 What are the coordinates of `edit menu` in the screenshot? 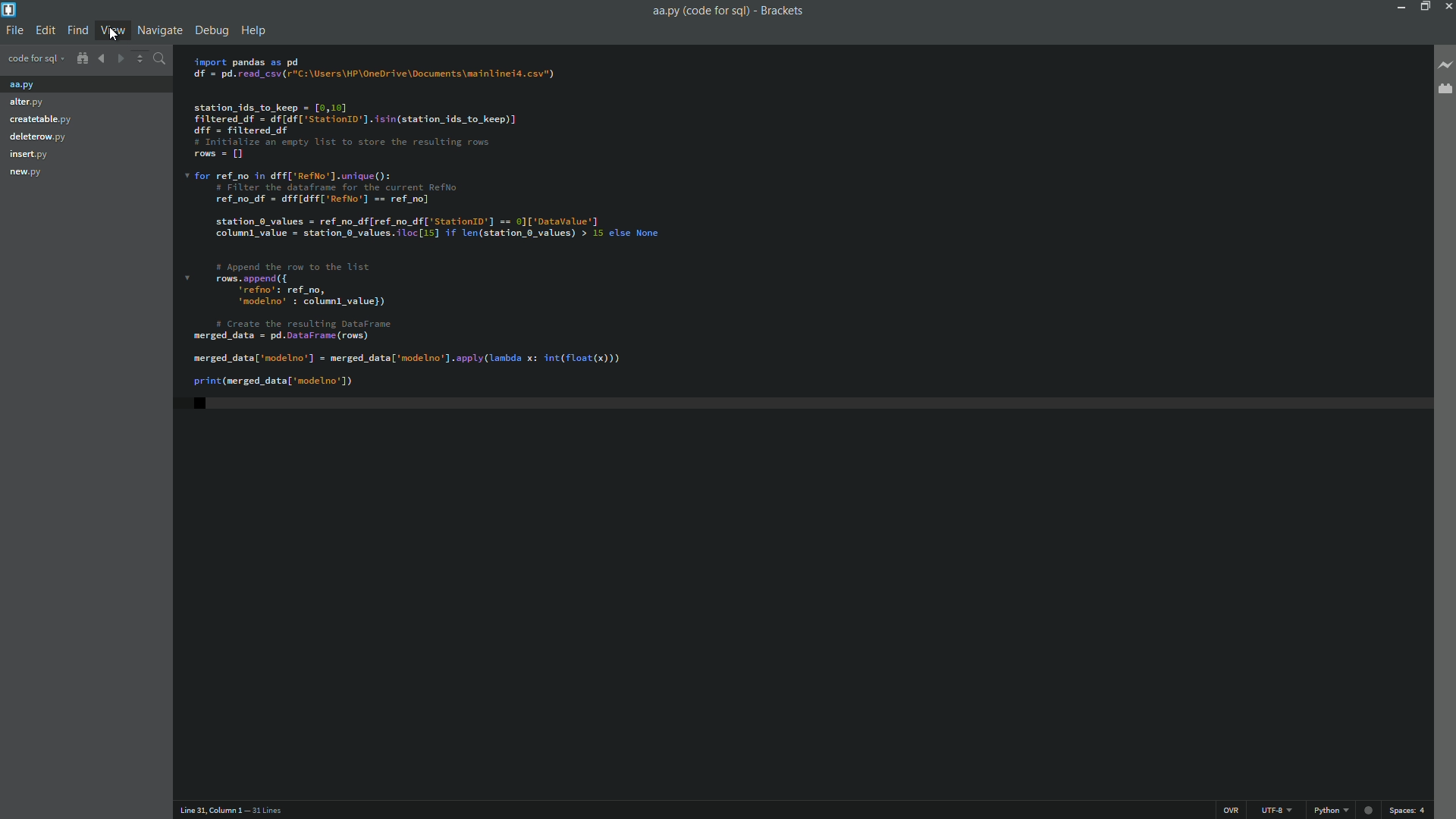 It's located at (45, 30).